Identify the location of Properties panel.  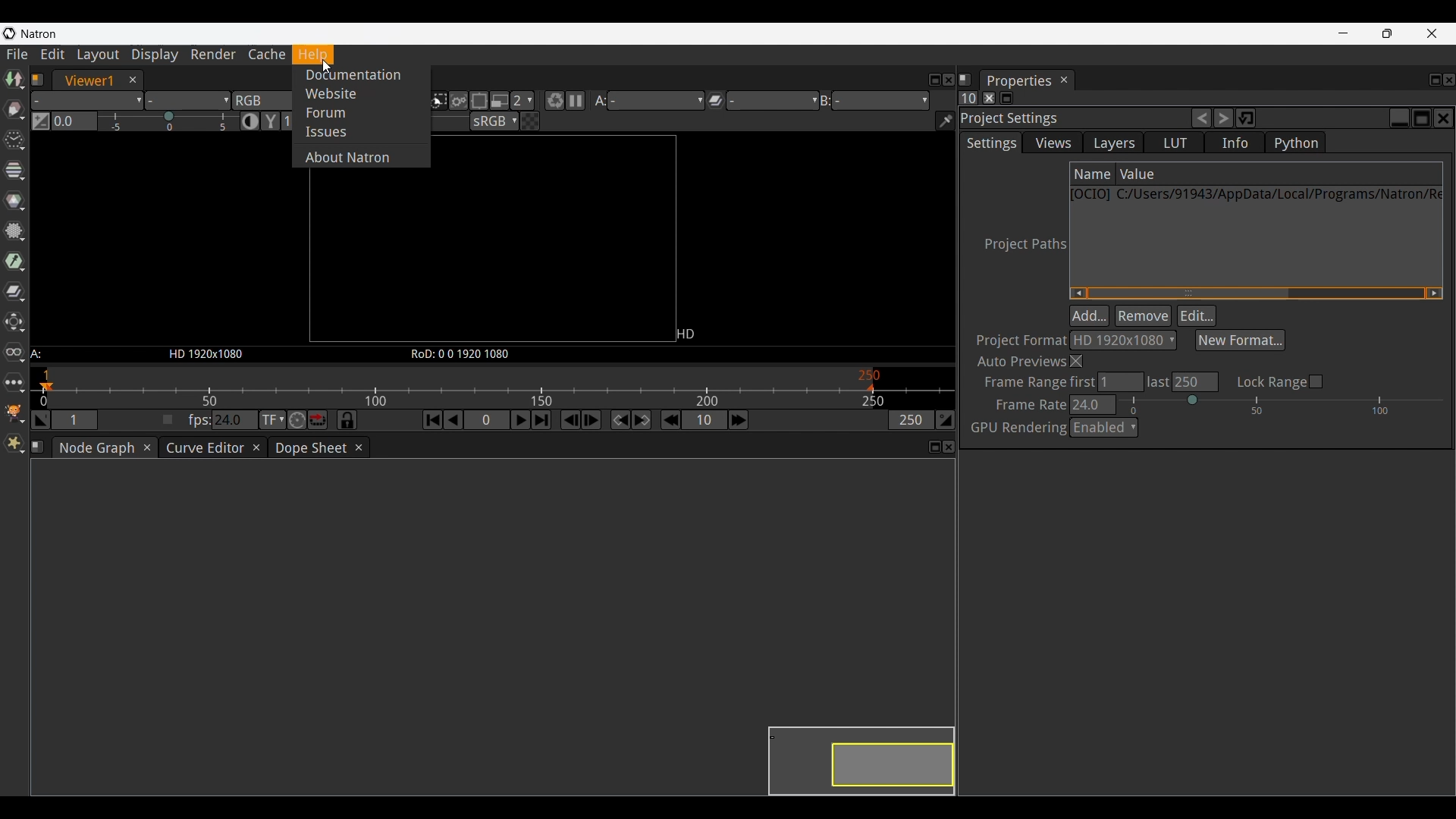
(1018, 80).